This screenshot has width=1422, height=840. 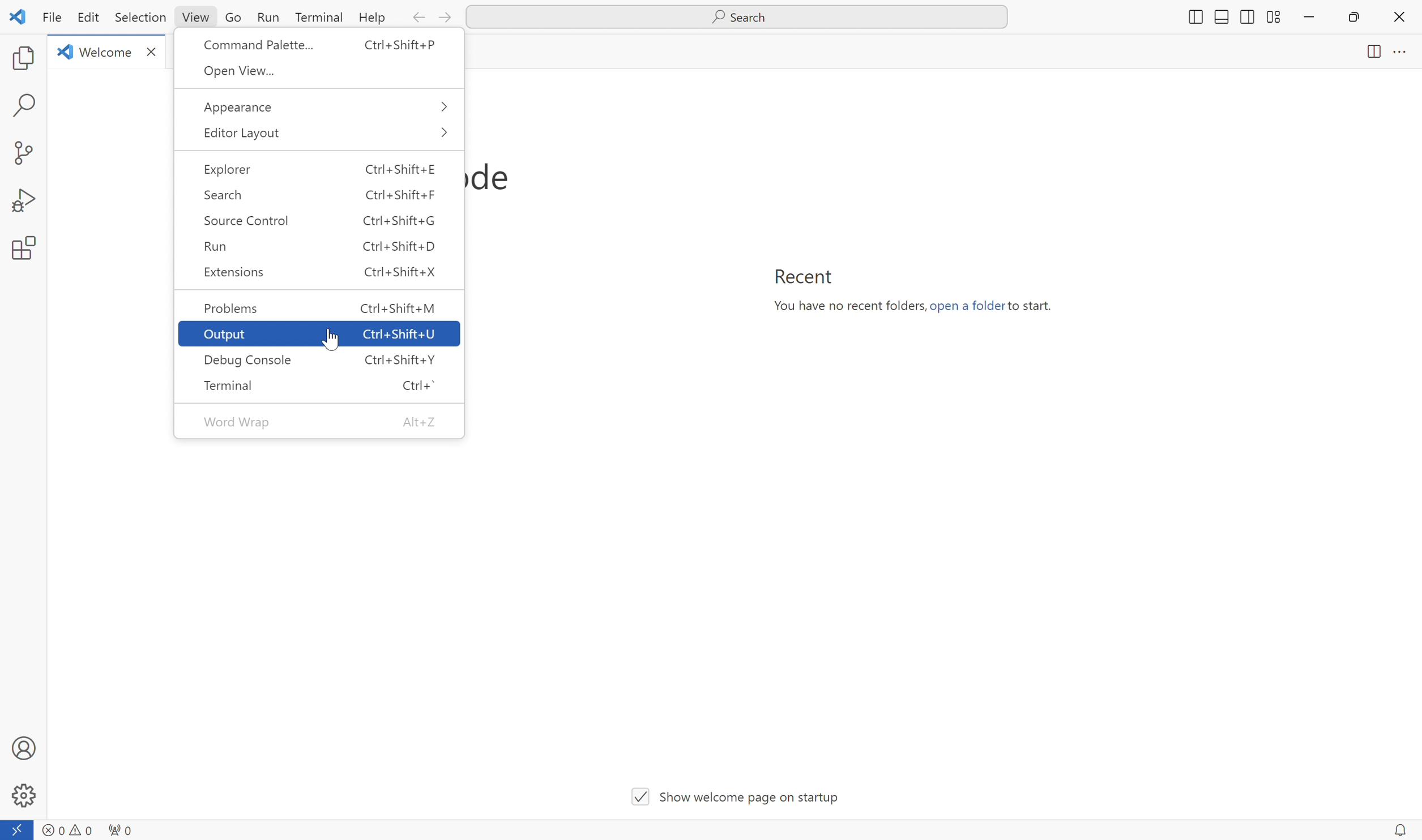 I want to click on welcome, so click(x=108, y=53).